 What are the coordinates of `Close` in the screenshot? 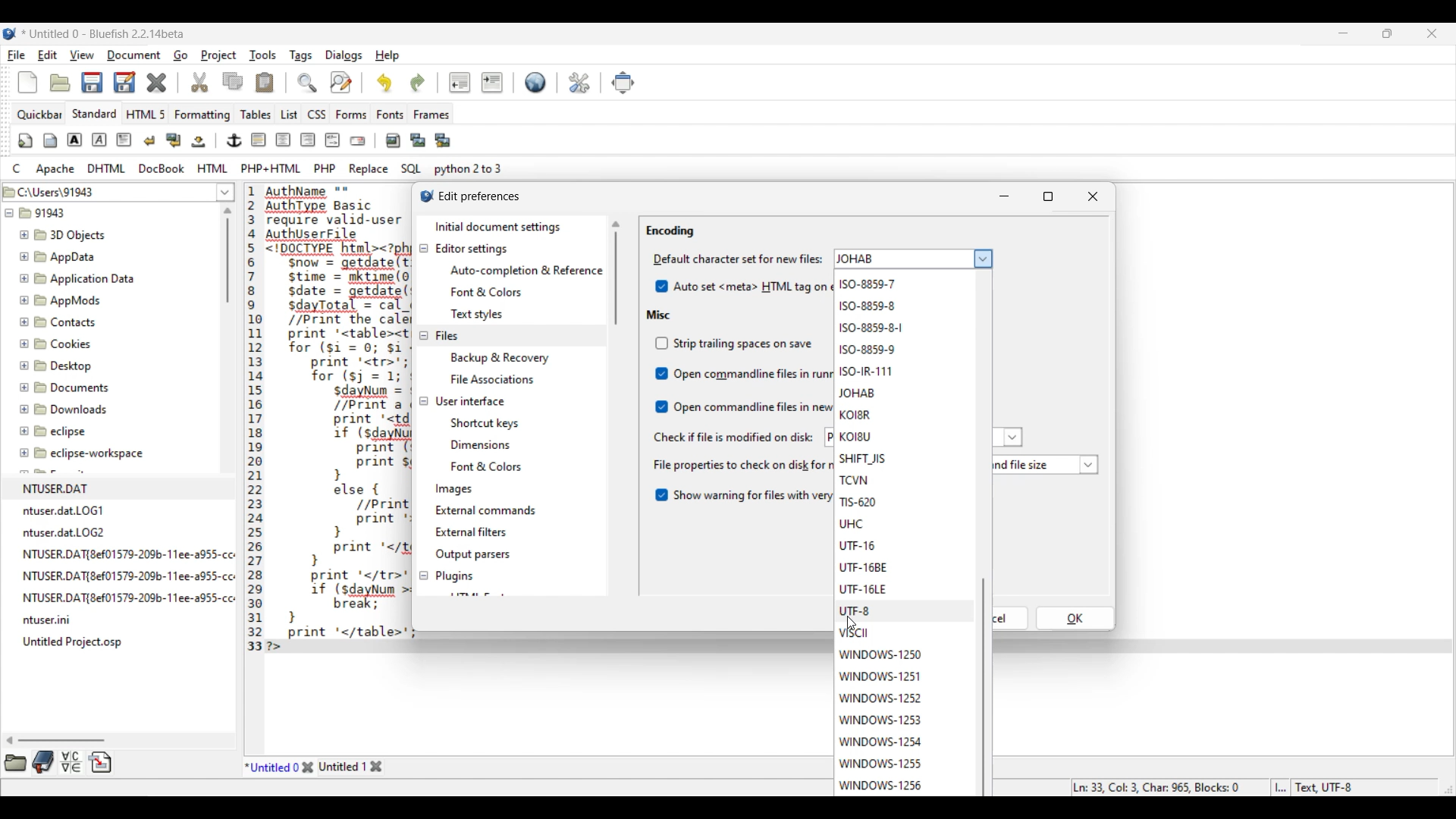 It's located at (1095, 196).